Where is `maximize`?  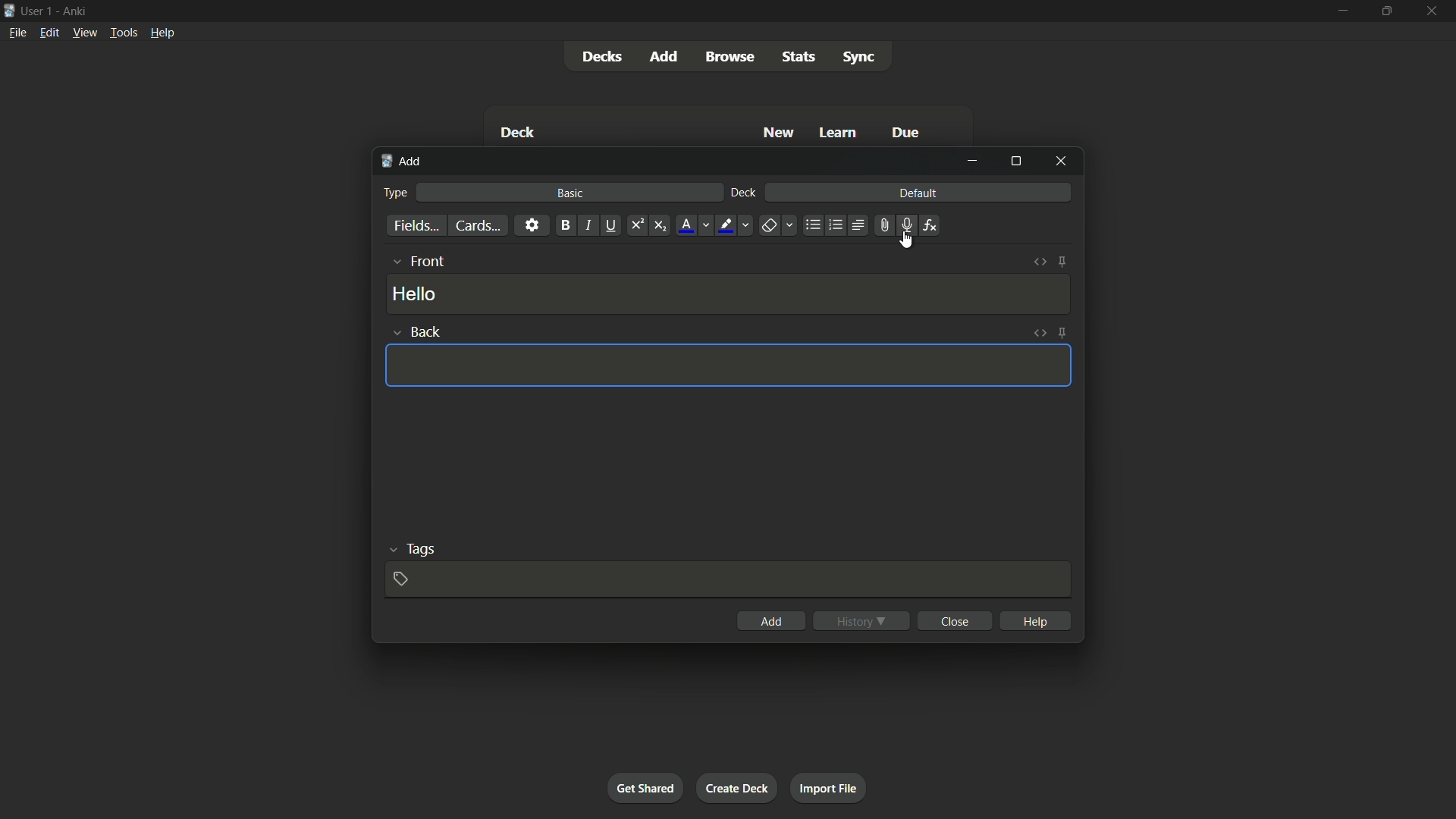 maximize is located at coordinates (1389, 11).